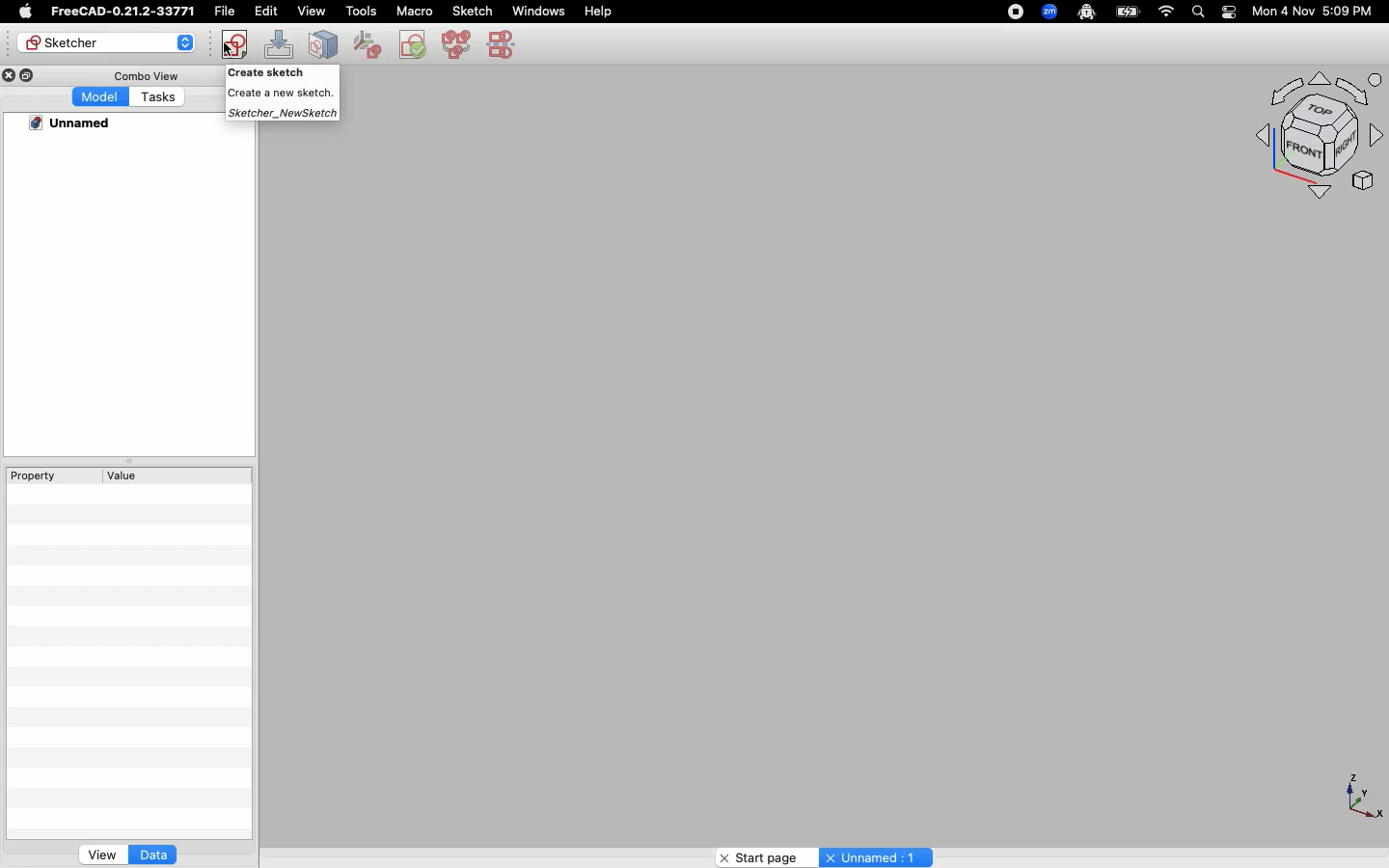 The width and height of the screenshot is (1389, 868). Describe the element at coordinates (105, 42) in the screenshot. I see `Sketcher ` at that location.